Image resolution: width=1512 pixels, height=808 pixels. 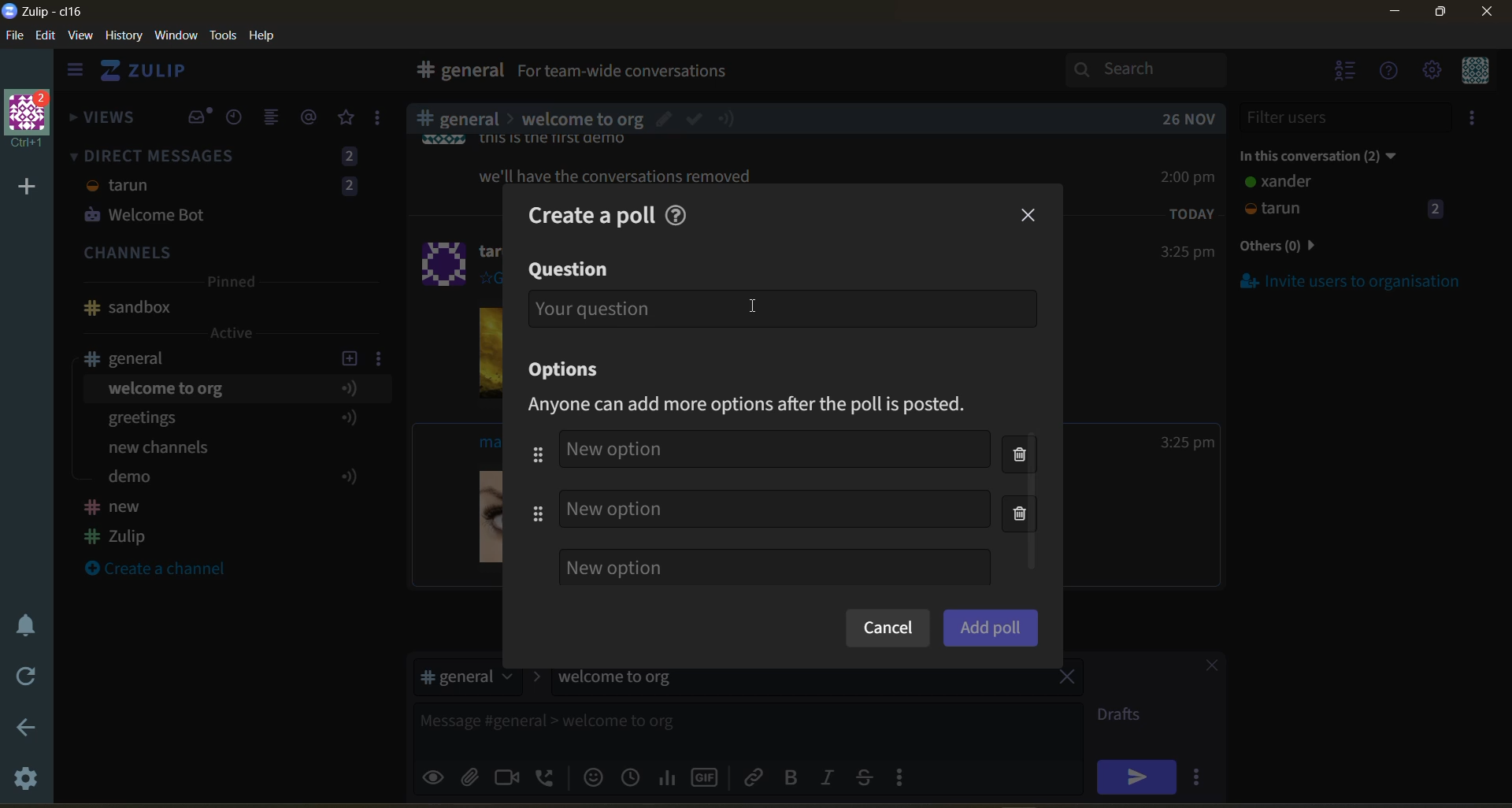 What do you see at coordinates (16, 39) in the screenshot?
I see `file` at bounding box center [16, 39].